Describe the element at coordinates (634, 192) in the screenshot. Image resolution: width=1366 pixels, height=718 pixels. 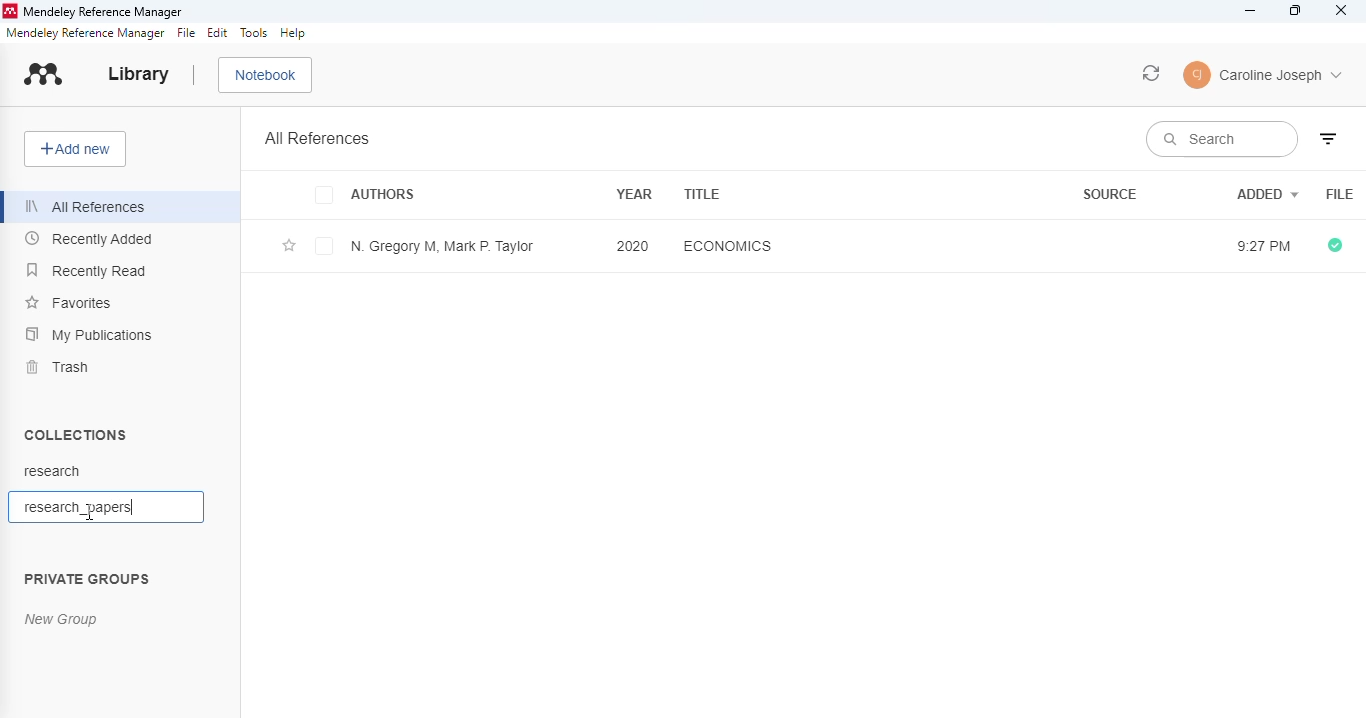
I see `year` at that location.